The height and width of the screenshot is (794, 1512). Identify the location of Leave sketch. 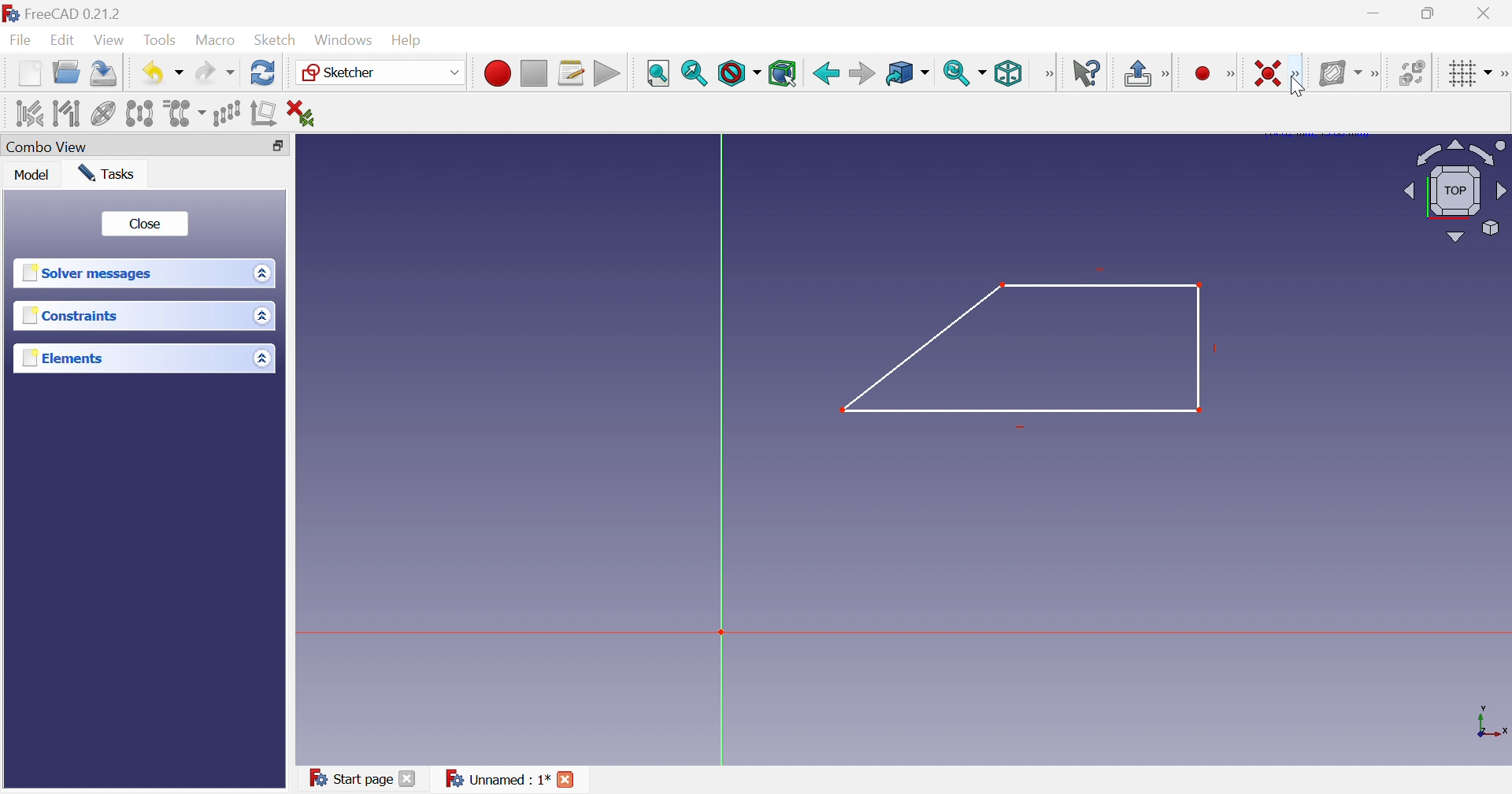
(1136, 75).